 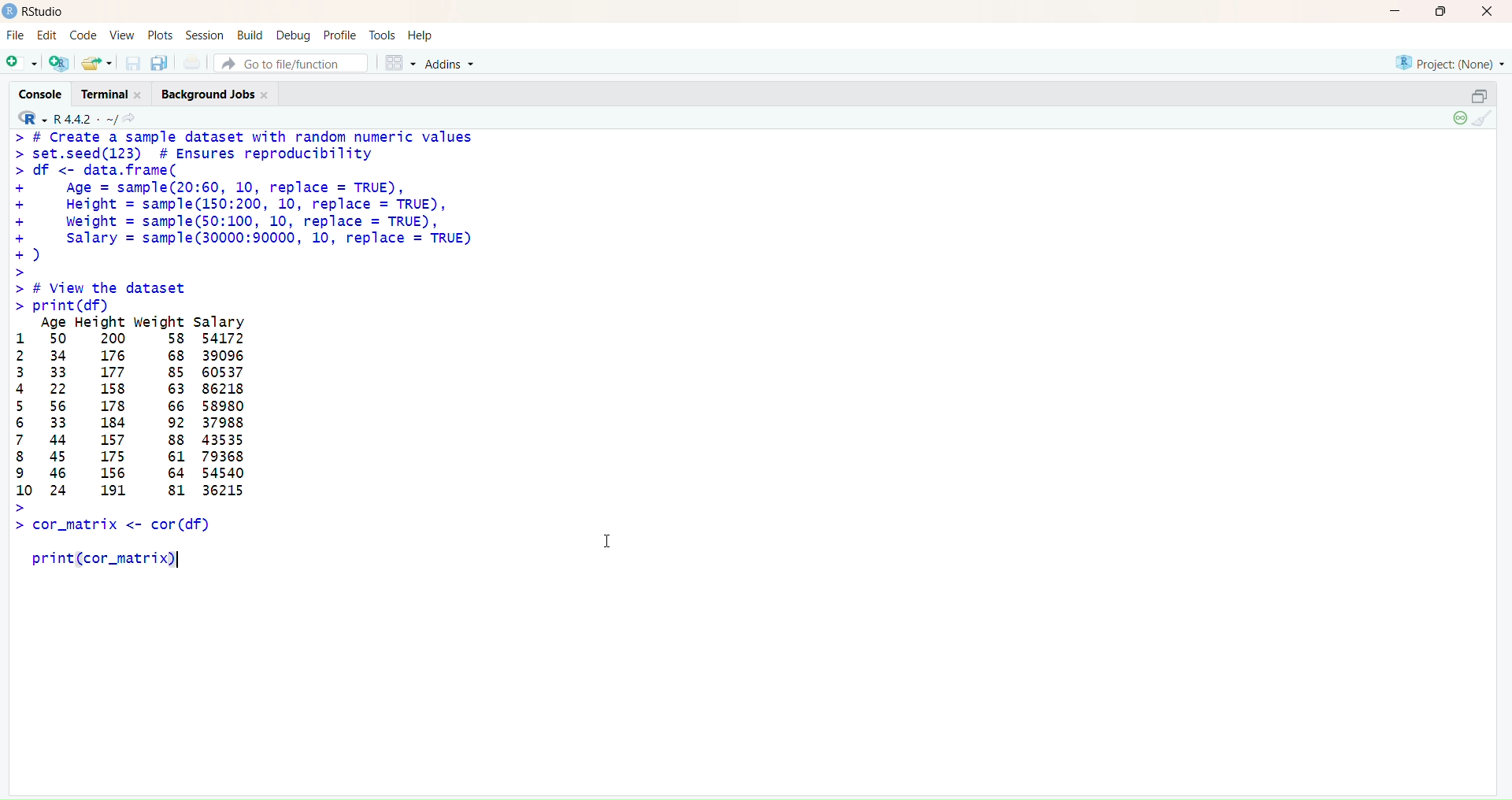 I want to click on New file, so click(x=22, y=61).